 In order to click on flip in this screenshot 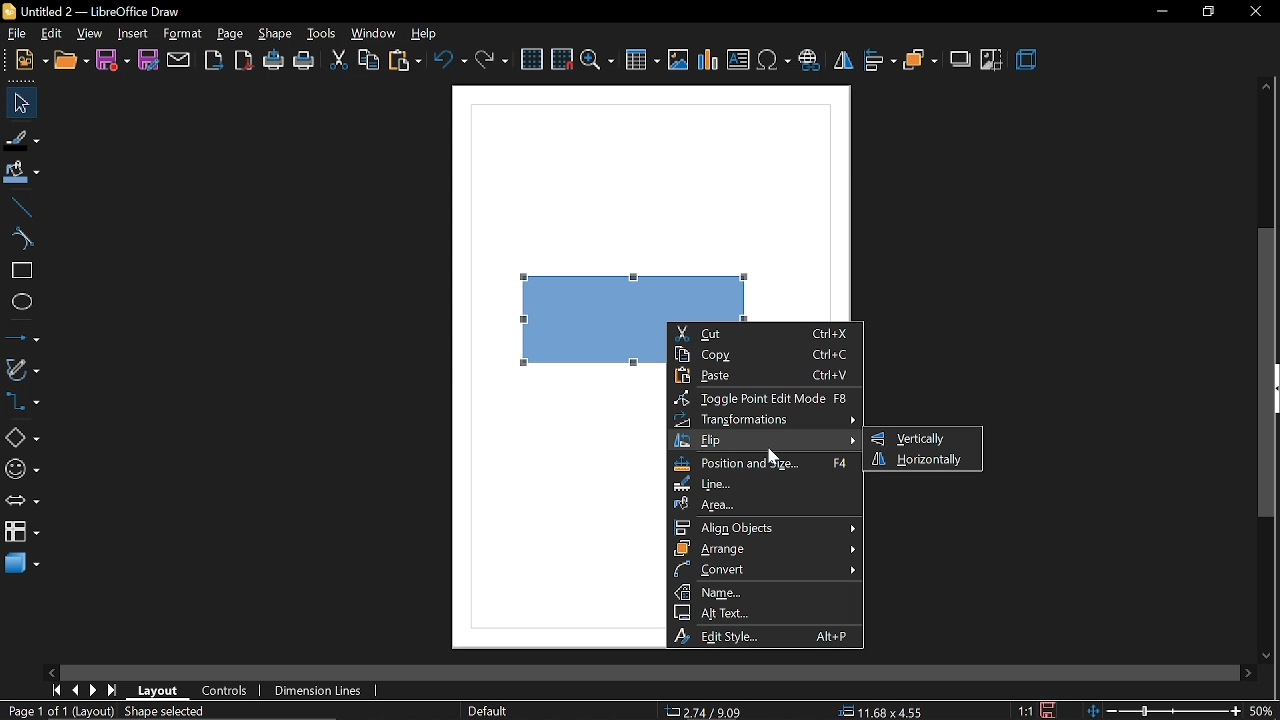, I will do `click(843, 61)`.